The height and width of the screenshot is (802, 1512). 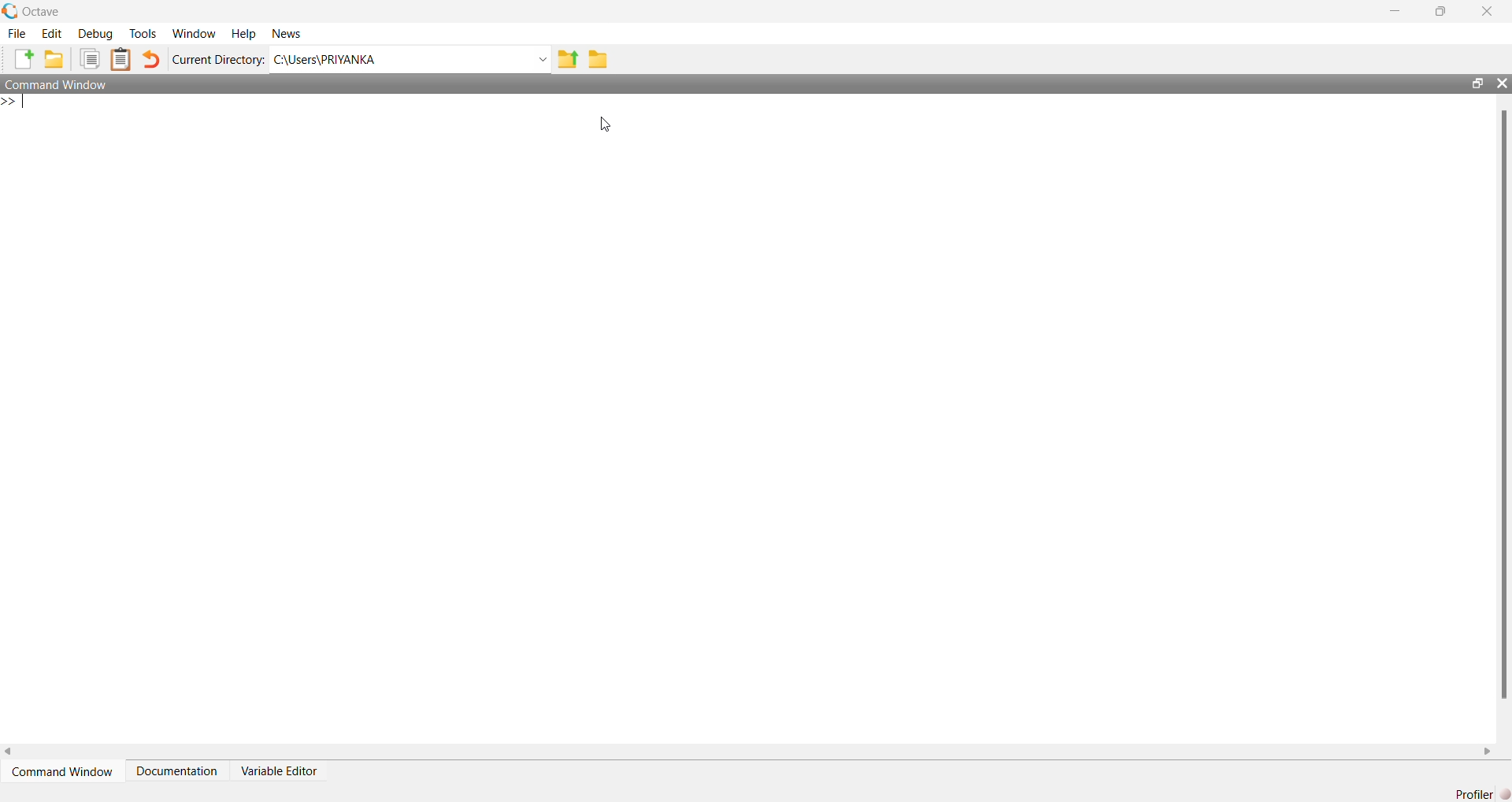 I want to click on scroll bar, so click(x=1502, y=403).